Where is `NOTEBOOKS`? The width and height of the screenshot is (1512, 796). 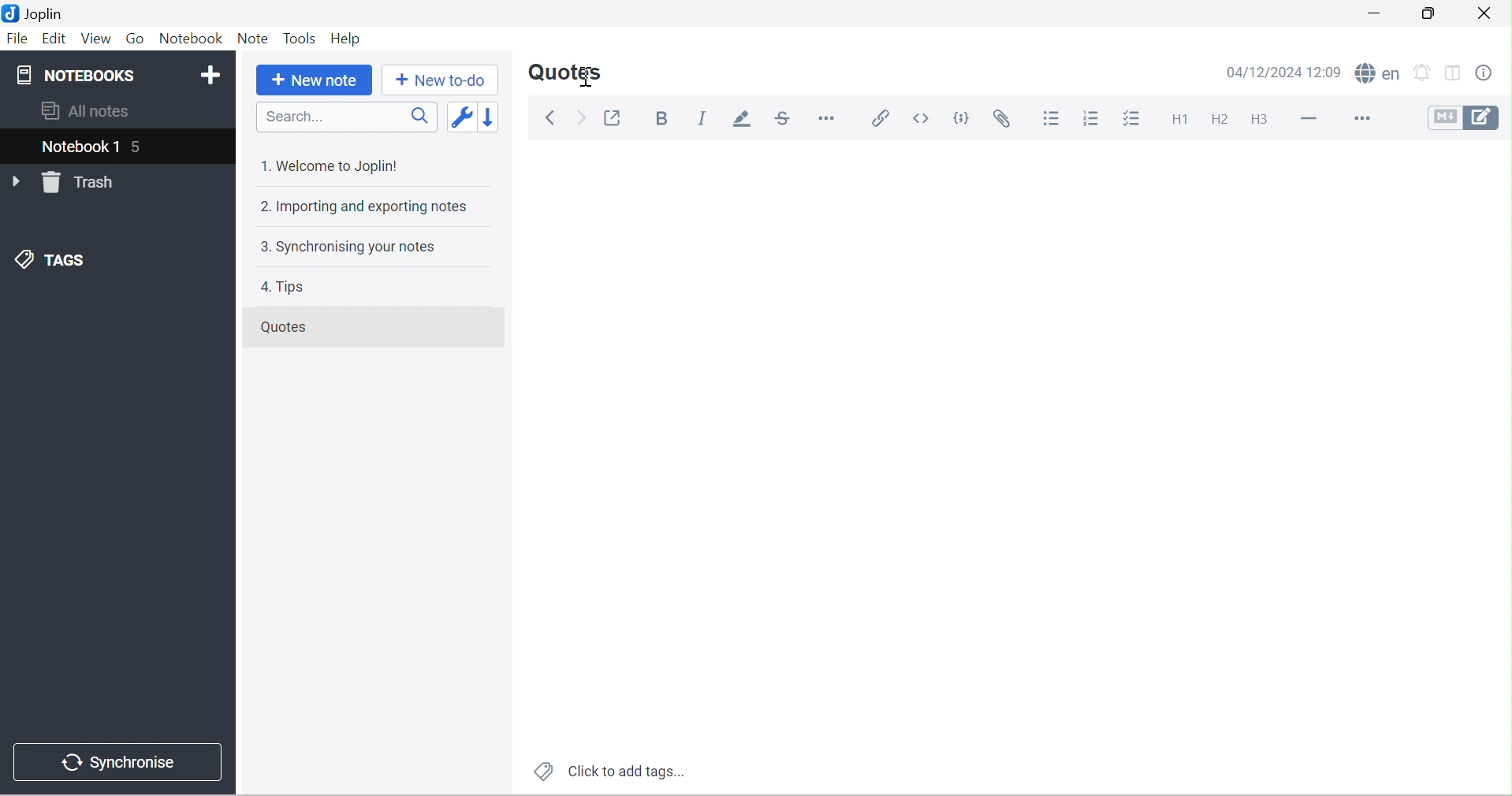 NOTEBOOKS is located at coordinates (80, 75).